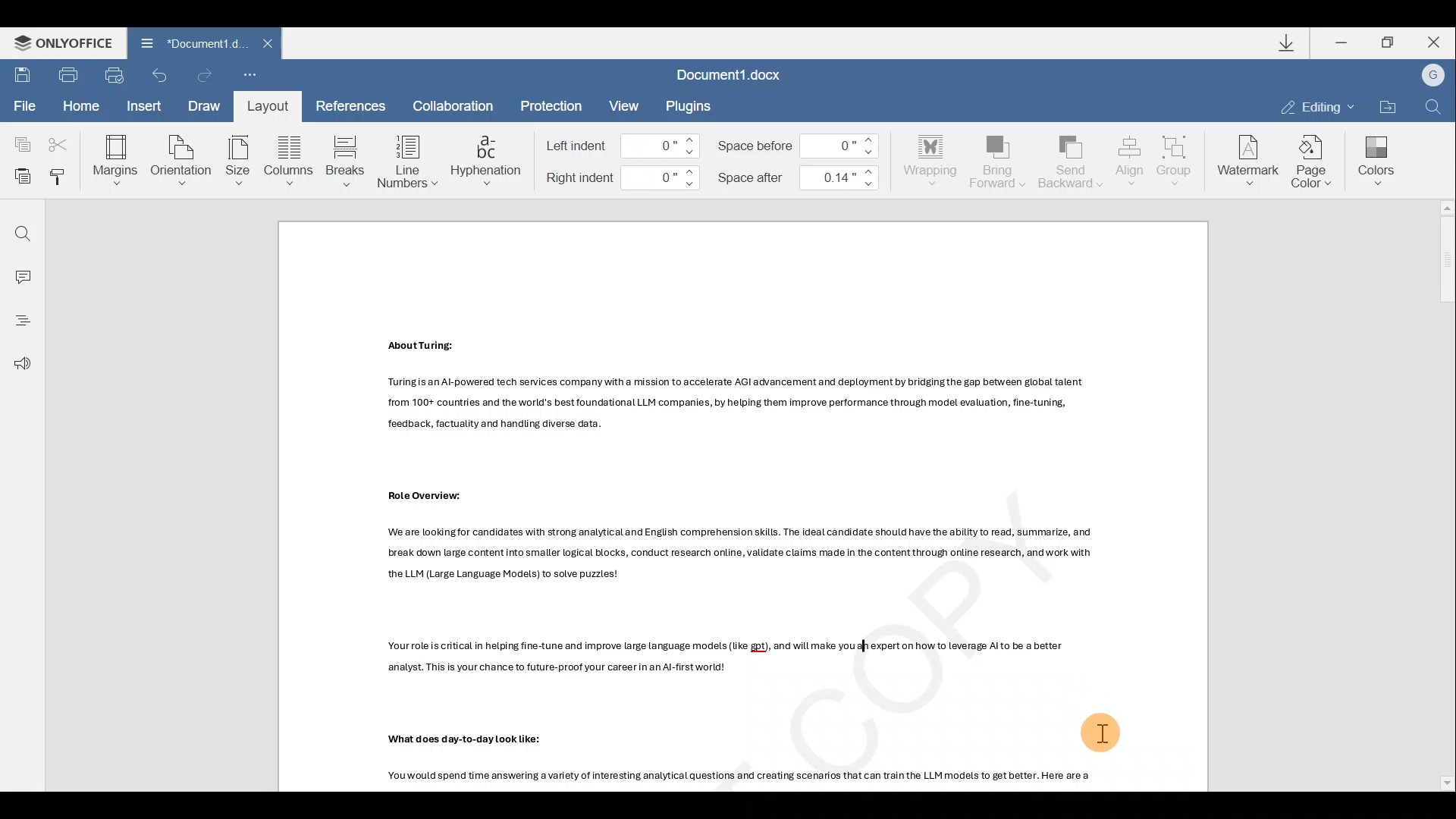 The width and height of the screenshot is (1456, 819). What do you see at coordinates (63, 42) in the screenshot?
I see `ONLYOFFICE` at bounding box center [63, 42].